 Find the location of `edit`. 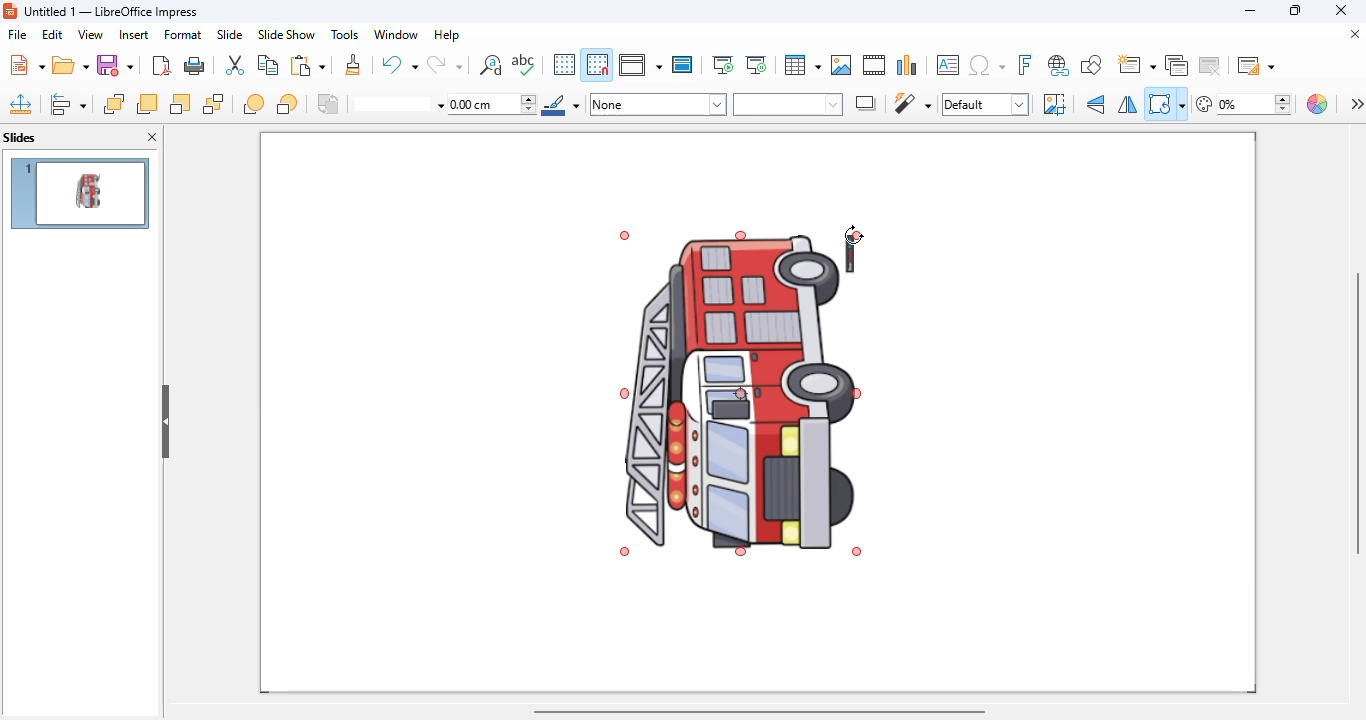

edit is located at coordinates (52, 34).